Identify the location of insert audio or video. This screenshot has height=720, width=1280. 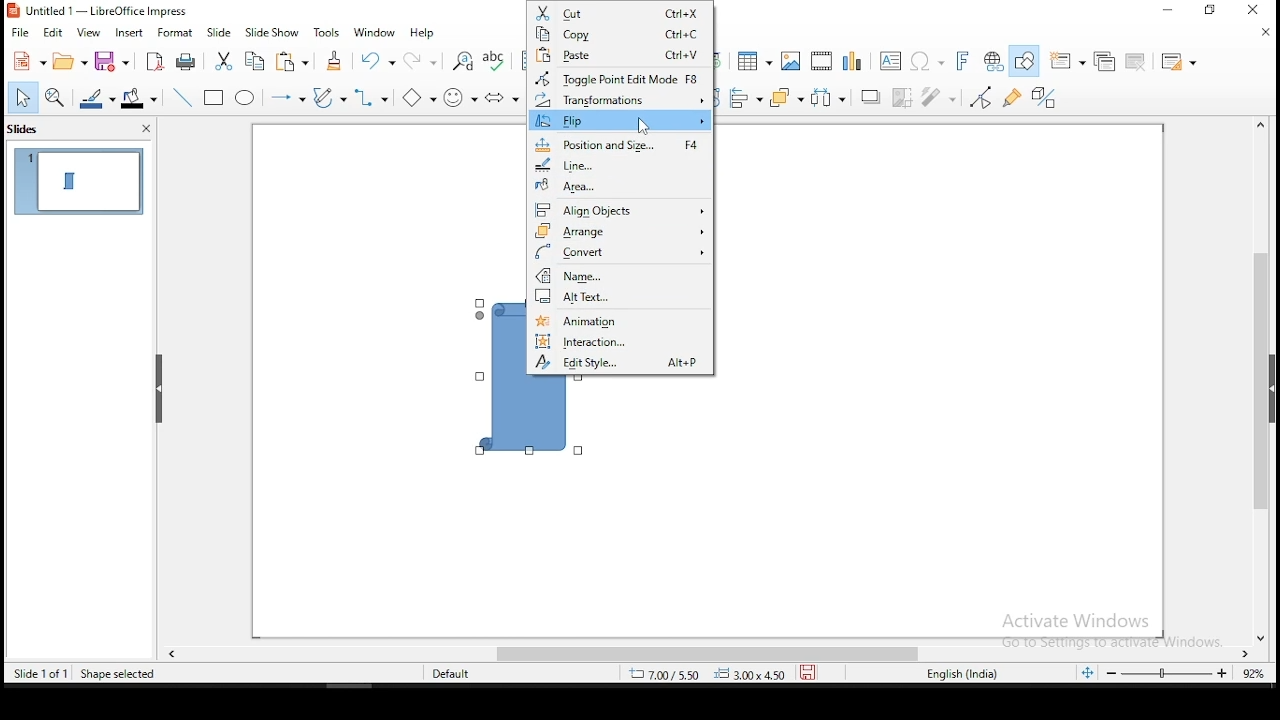
(823, 60).